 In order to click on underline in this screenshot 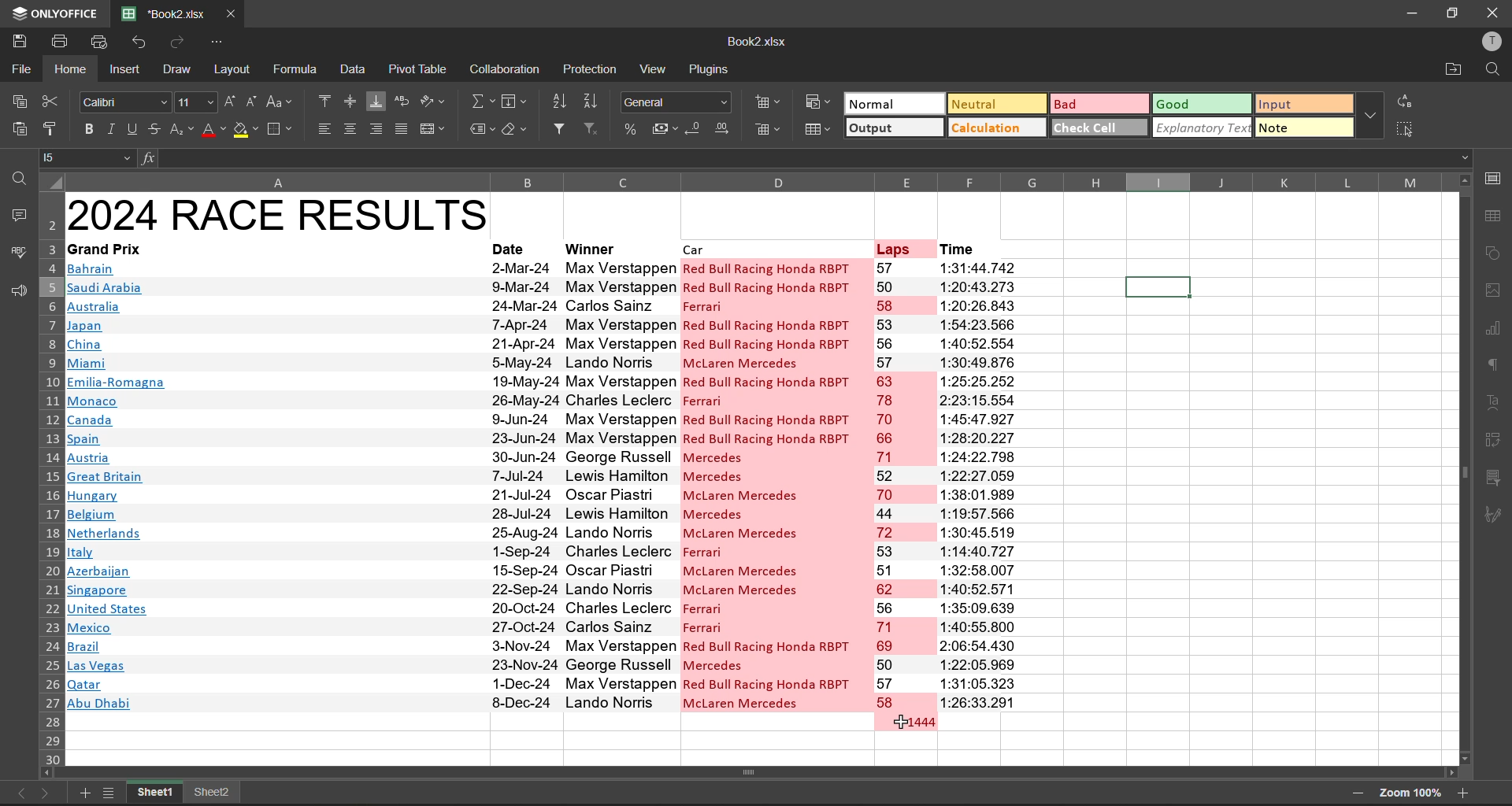, I will do `click(133, 128)`.